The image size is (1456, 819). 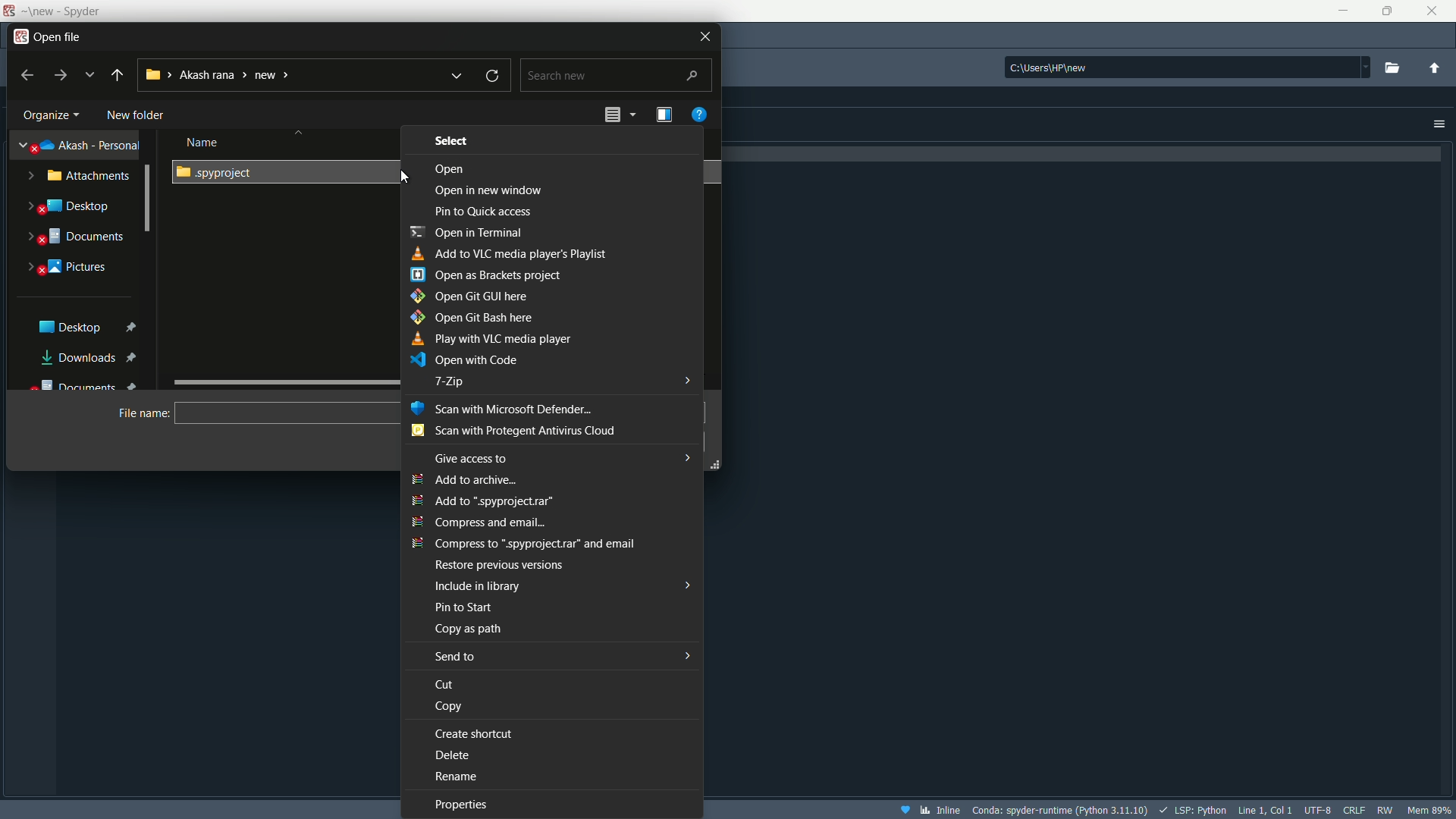 What do you see at coordinates (472, 480) in the screenshot?
I see `add to archive` at bounding box center [472, 480].